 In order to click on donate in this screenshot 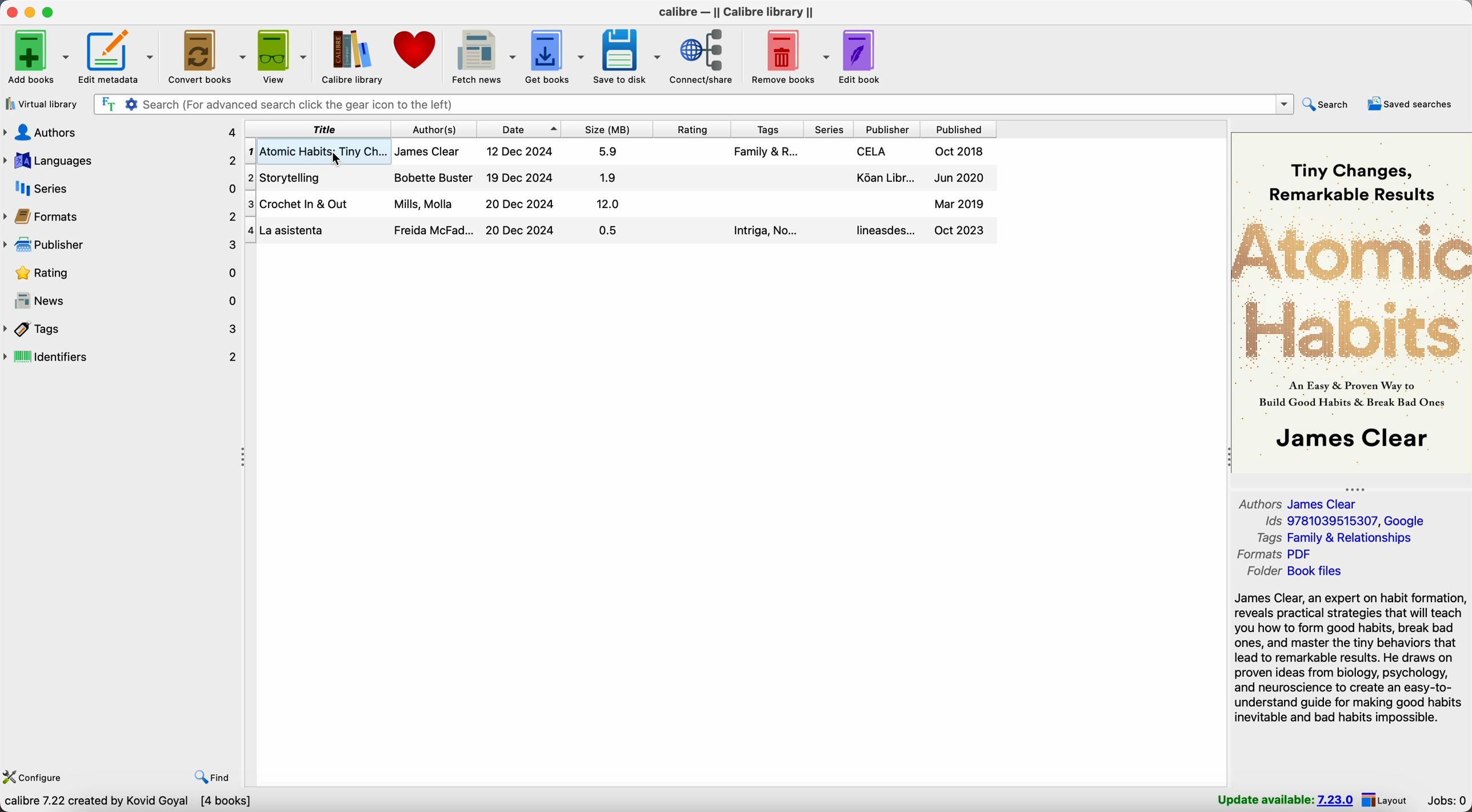, I will do `click(416, 49)`.